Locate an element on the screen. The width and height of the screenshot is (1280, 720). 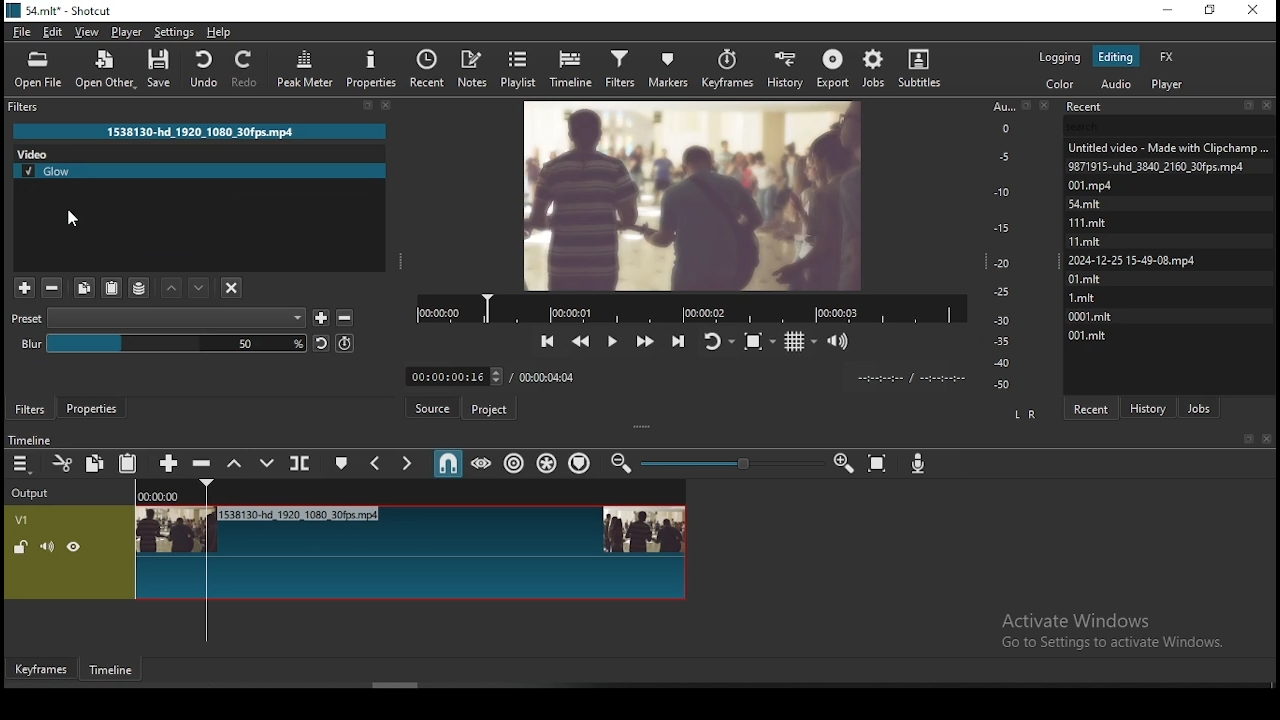
video track is located at coordinates (348, 553).